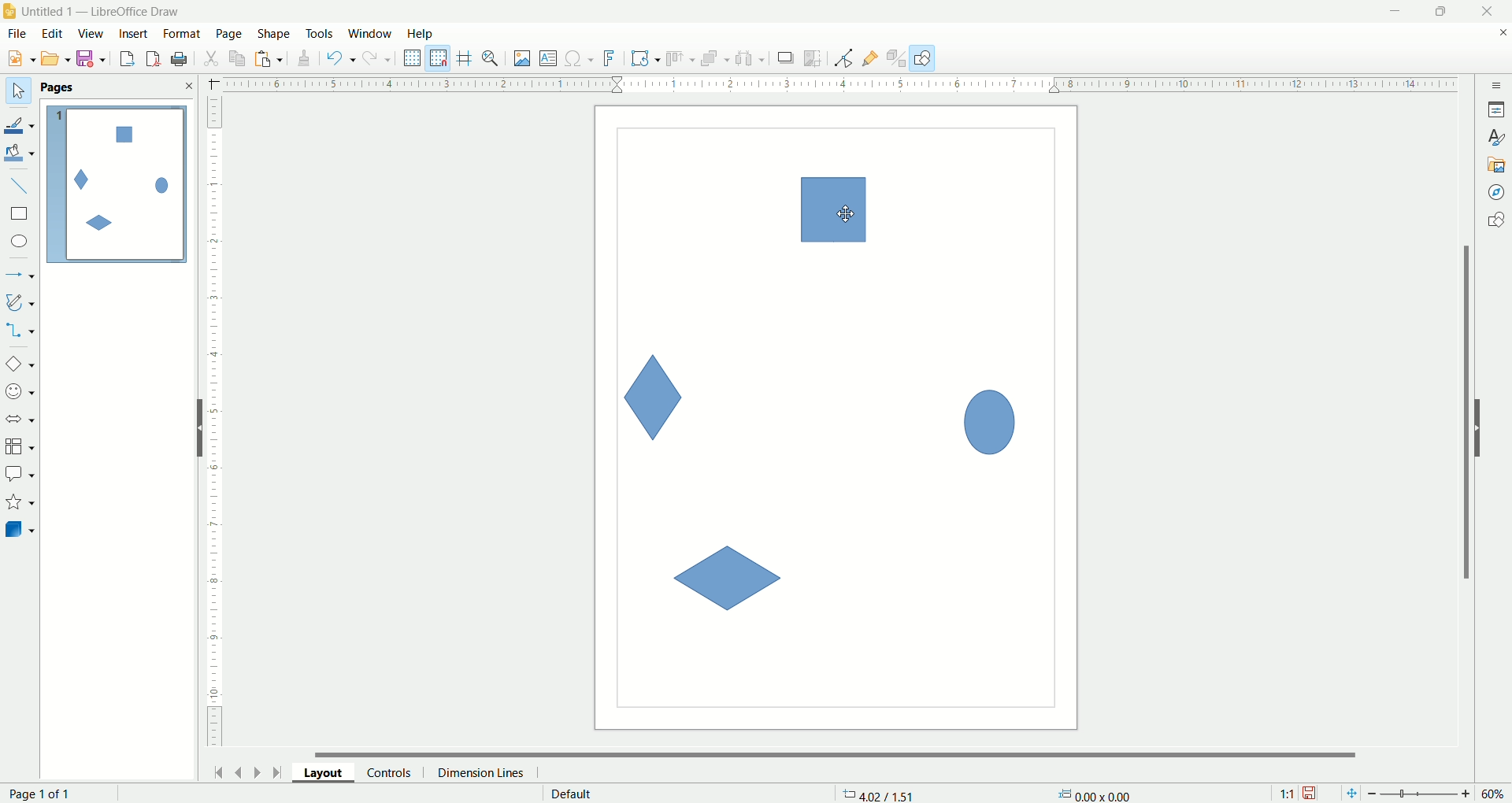 The width and height of the screenshot is (1512, 803). Describe the element at coordinates (188, 86) in the screenshot. I see `close` at that location.